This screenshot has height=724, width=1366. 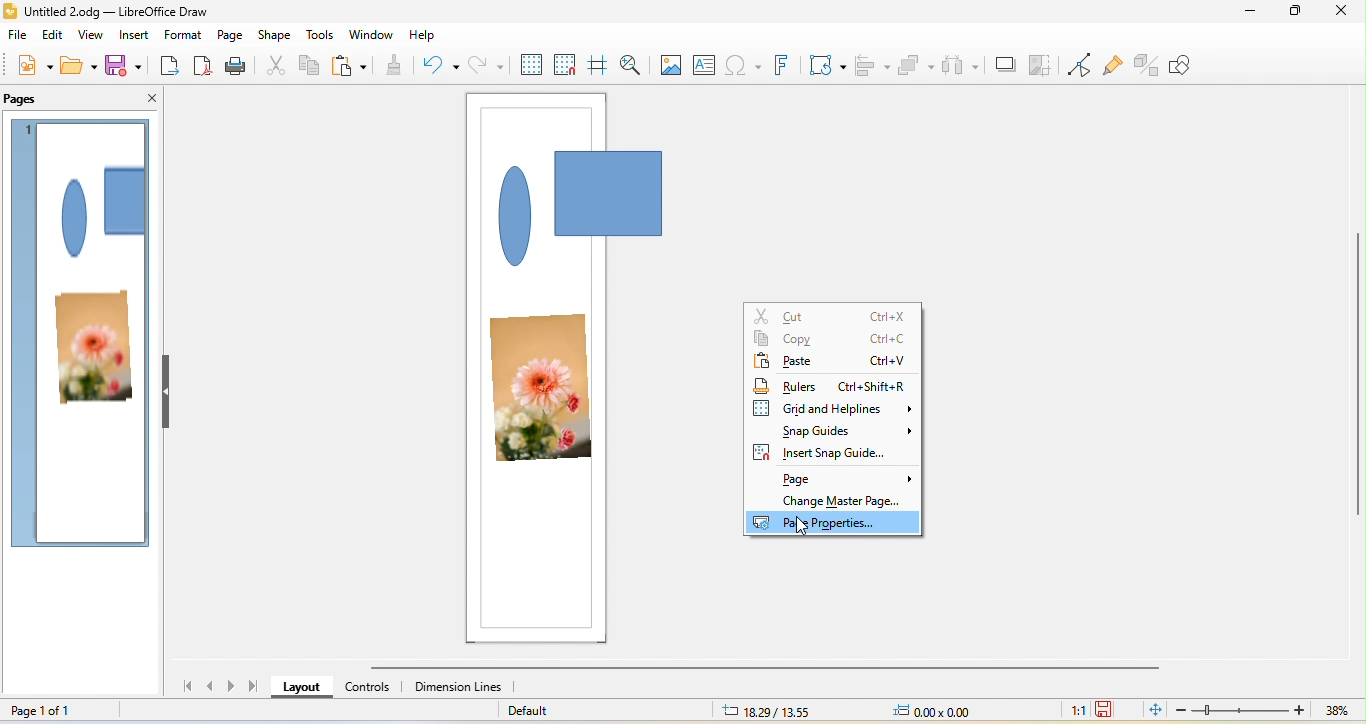 I want to click on save, so click(x=124, y=69).